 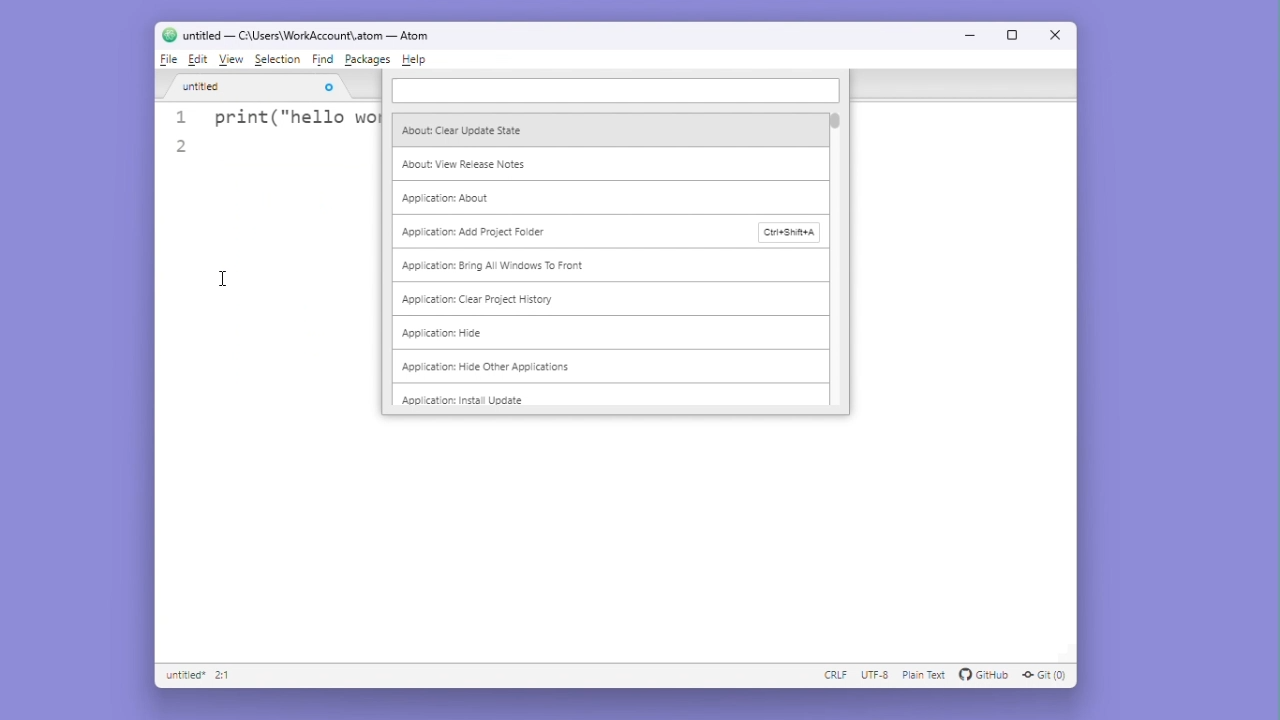 I want to click on Watch box, so click(x=616, y=92).